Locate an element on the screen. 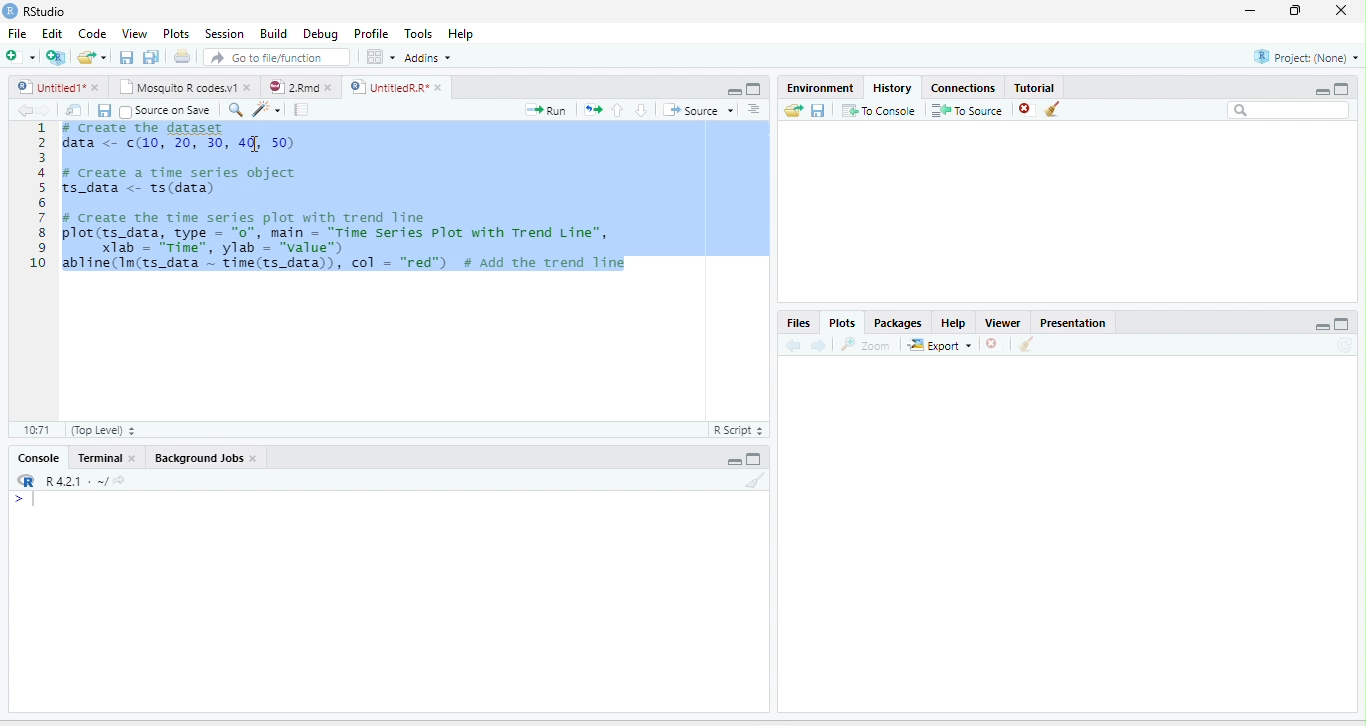 This screenshot has height=726, width=1366. cursor is located at coordinates (254, 144).